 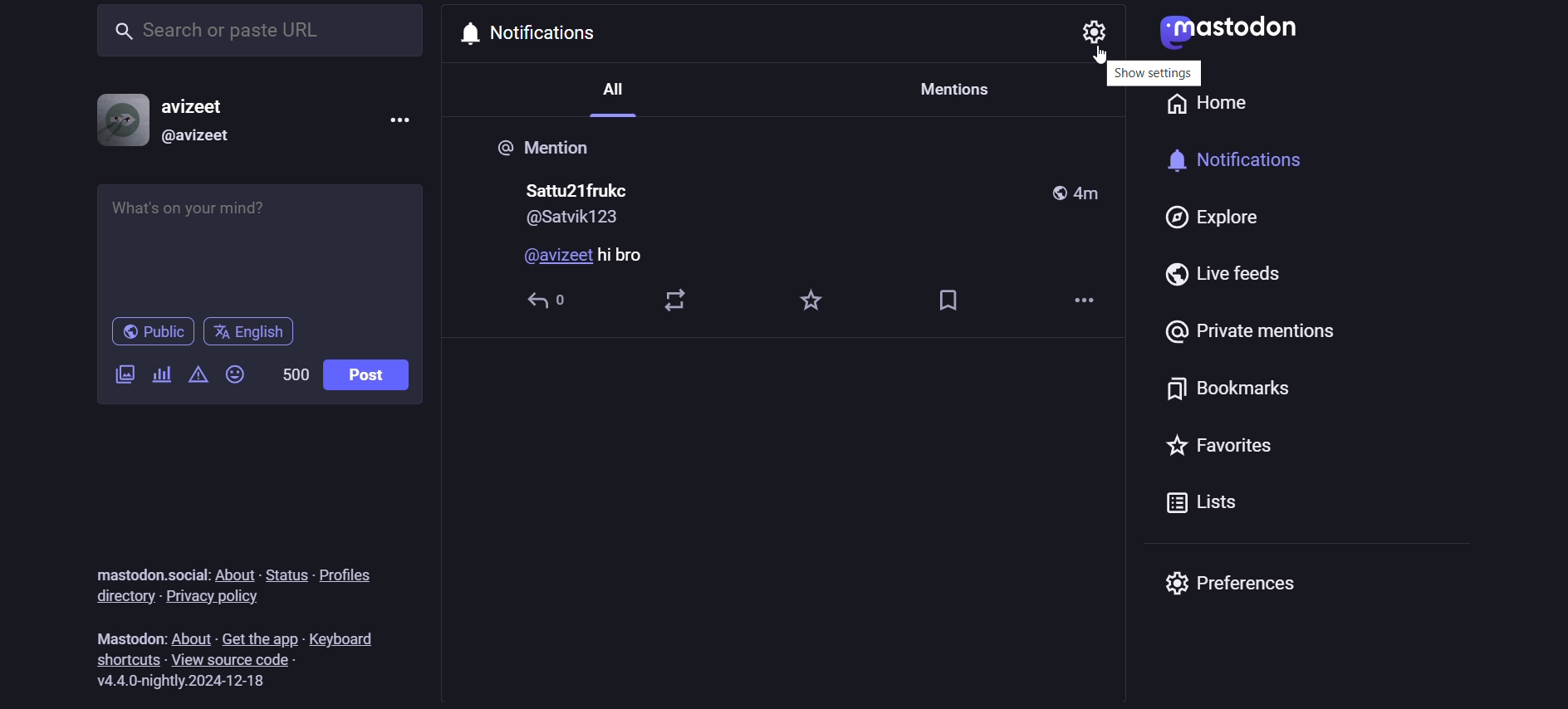 I want to click on Version, so click(x=189, y=684).